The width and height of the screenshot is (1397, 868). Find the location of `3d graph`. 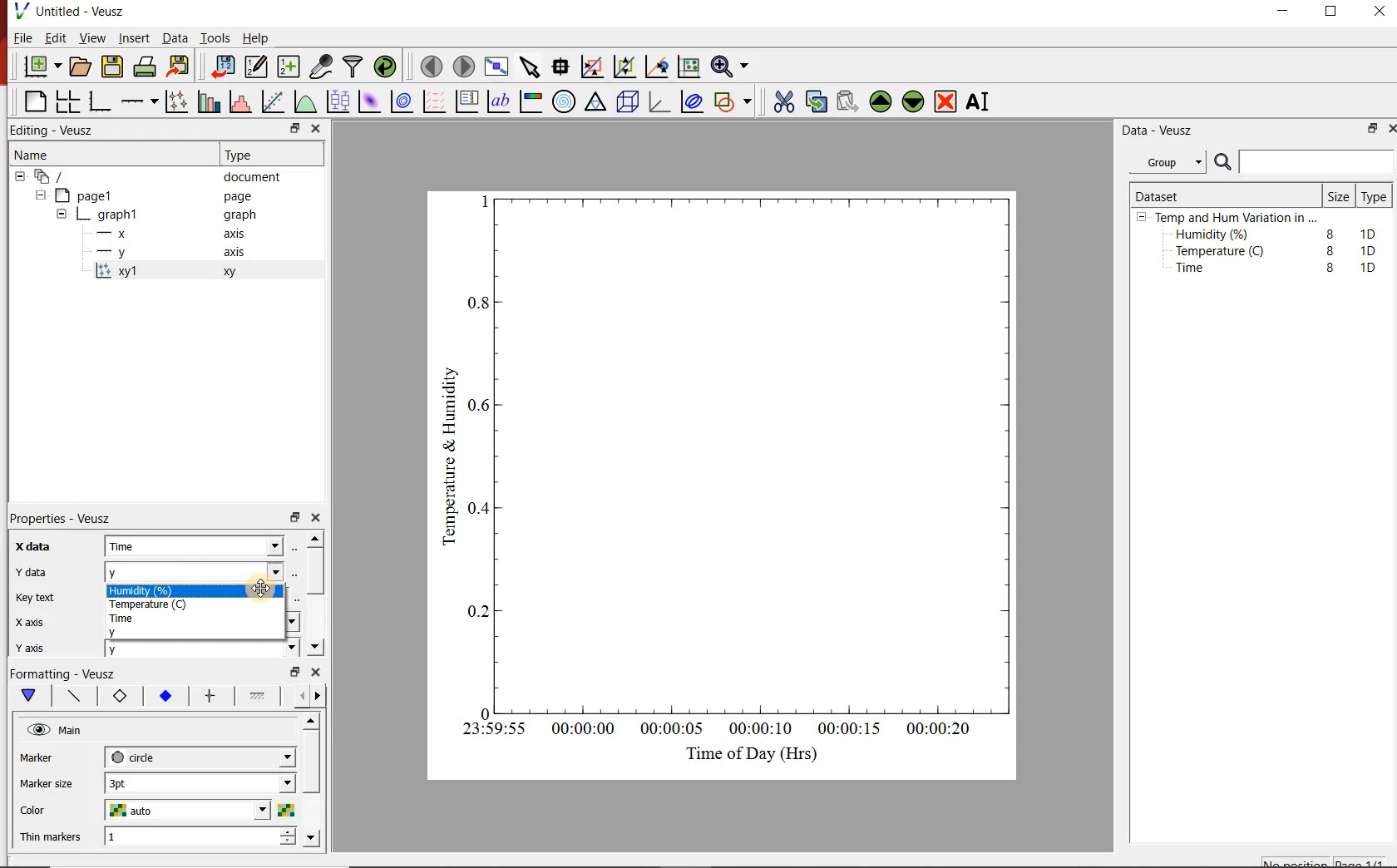

3d graph is located at coordinates (662, 104).